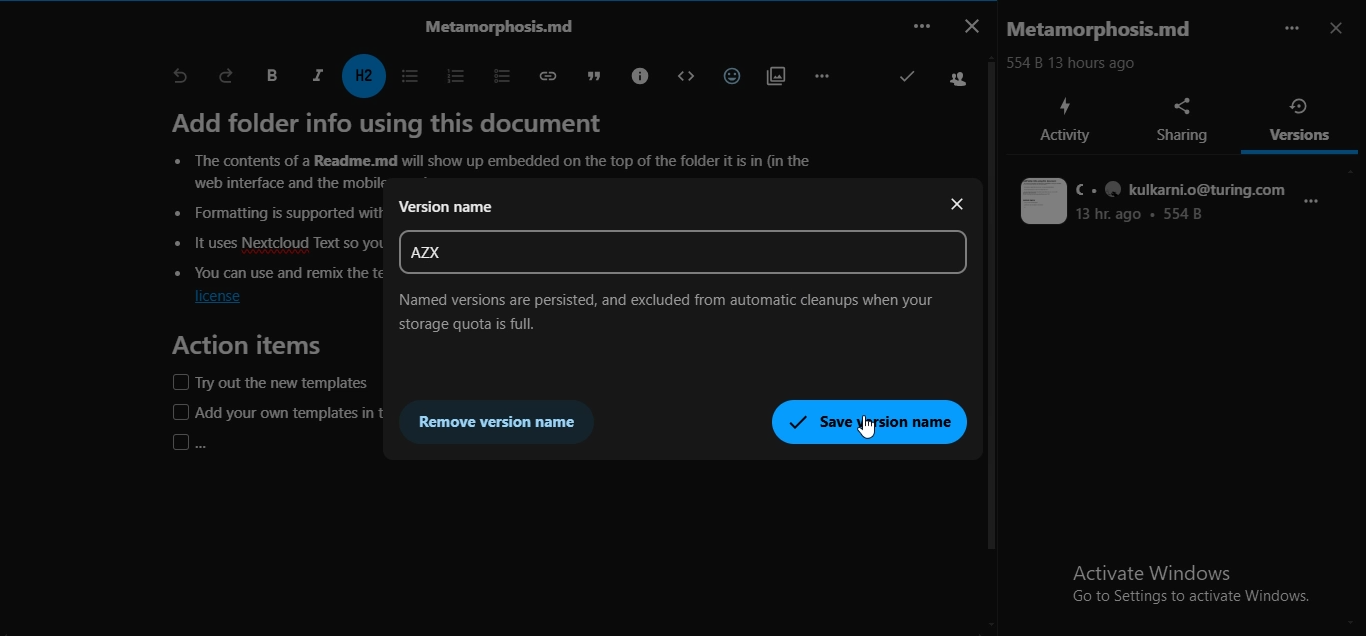 This screenshot has height=636, width=1366. I want to click on to do list, so click(494, 74).